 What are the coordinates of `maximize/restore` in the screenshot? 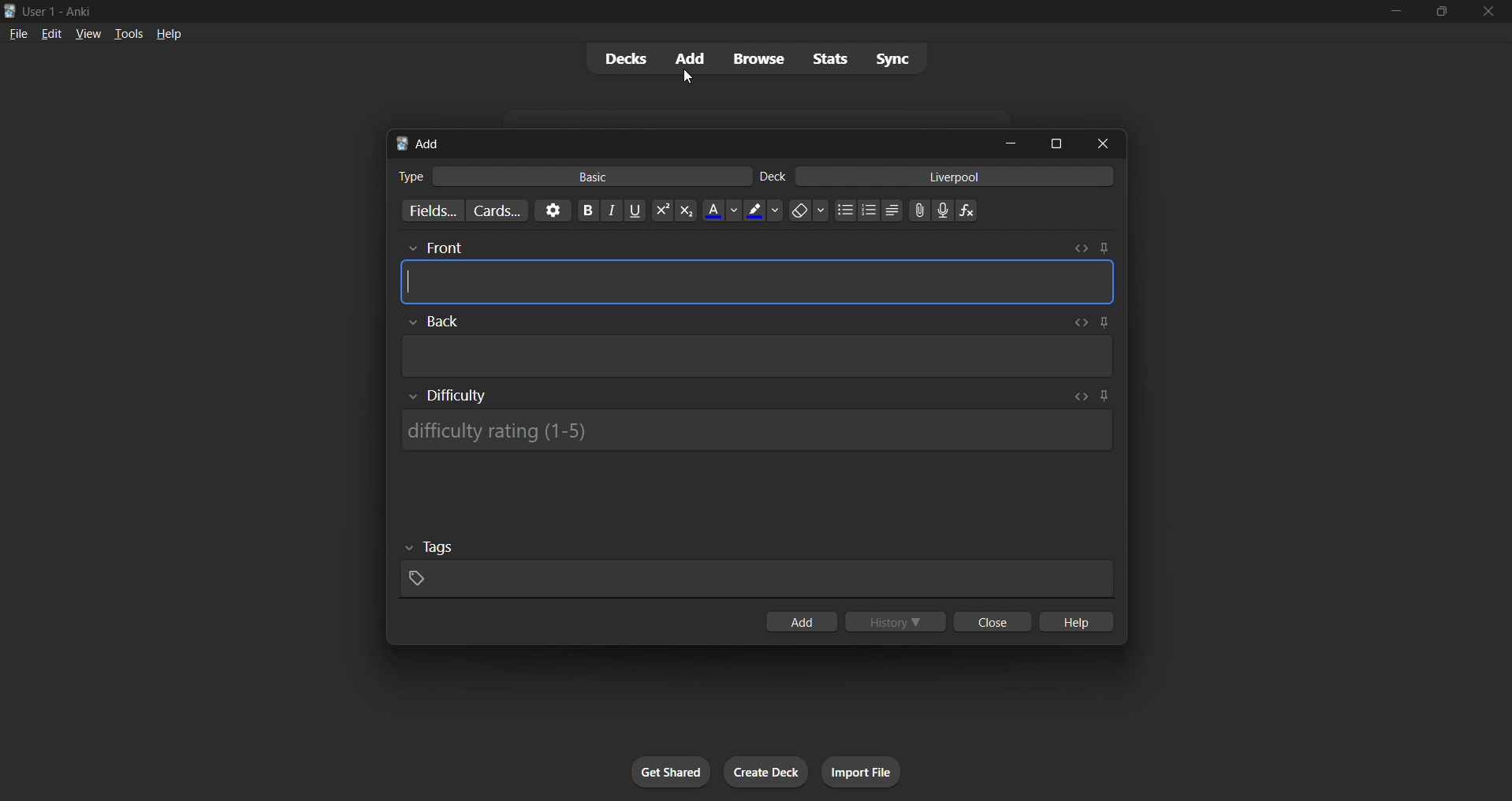 It's located at (1442, 12).